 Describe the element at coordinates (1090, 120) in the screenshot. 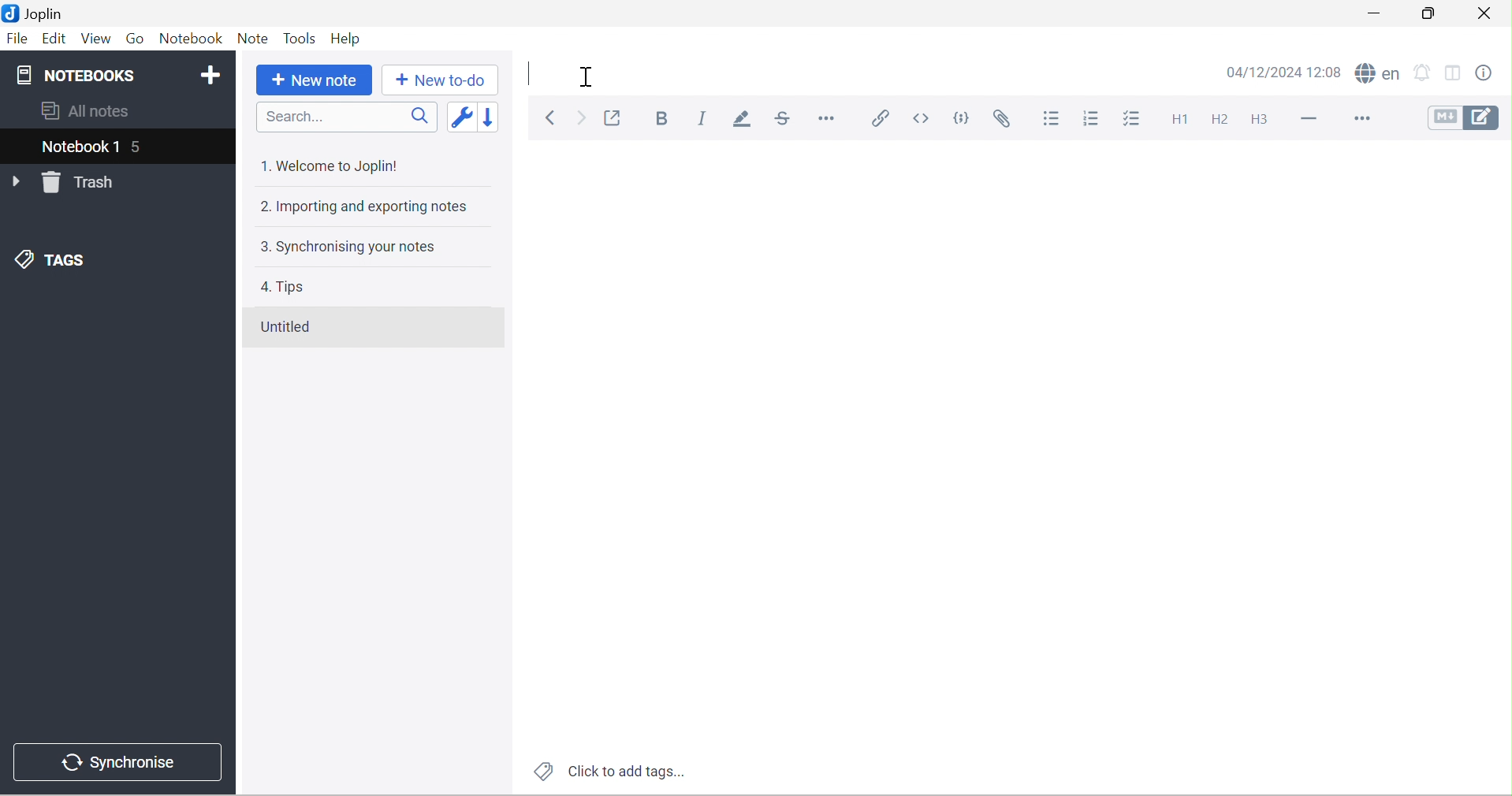

I see `Numbered list` at that location.